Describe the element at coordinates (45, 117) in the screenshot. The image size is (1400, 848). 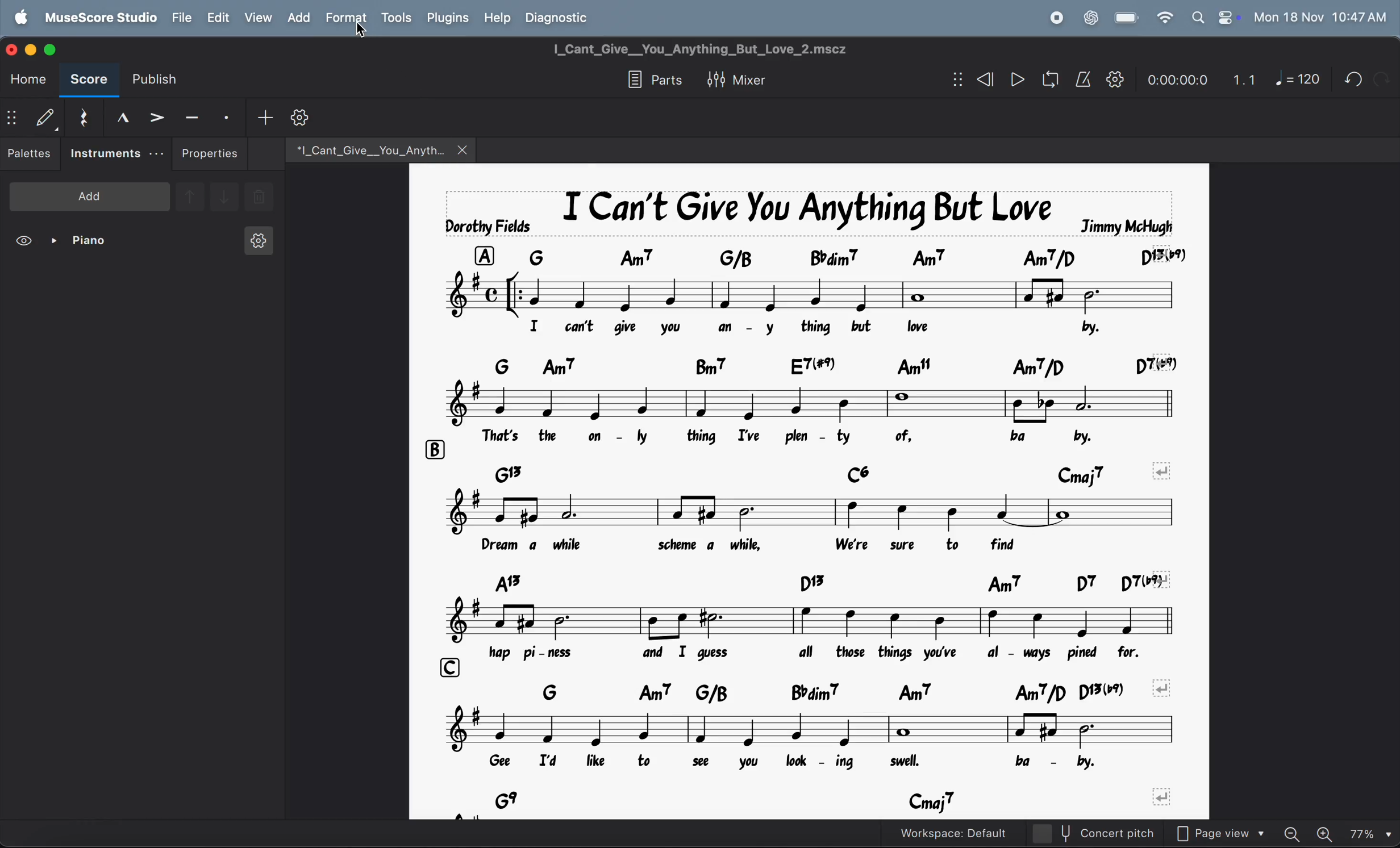
I see `display` at that location.